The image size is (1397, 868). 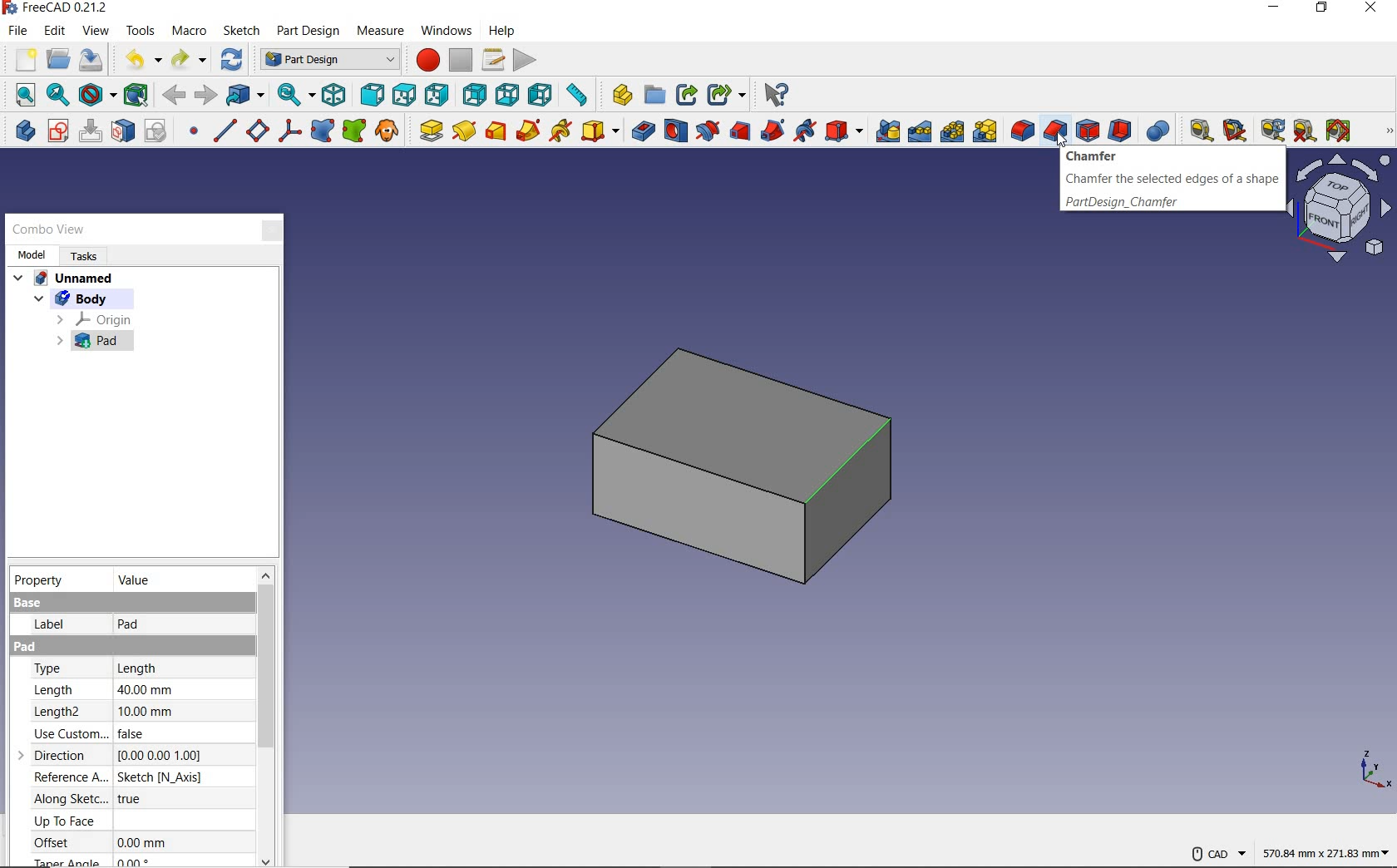 What do you see at coordinates (243, 30) in the screenshot?
I see `sketch` at bounding box center [243, 30].